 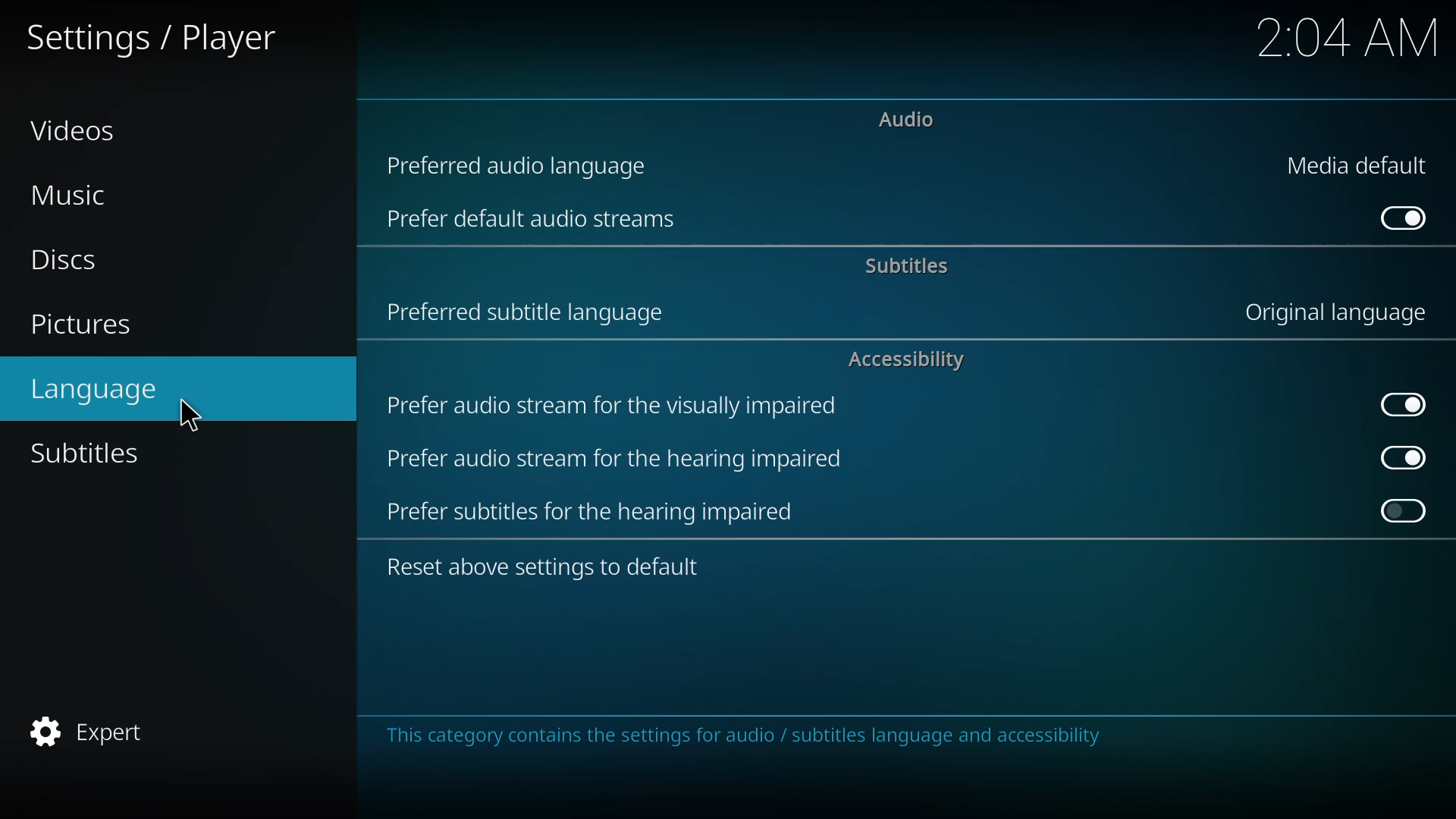 What do you see at coordinates (535, 221) in the screenshot?
I see `prefer default audio` at bounding box center [535, 221].